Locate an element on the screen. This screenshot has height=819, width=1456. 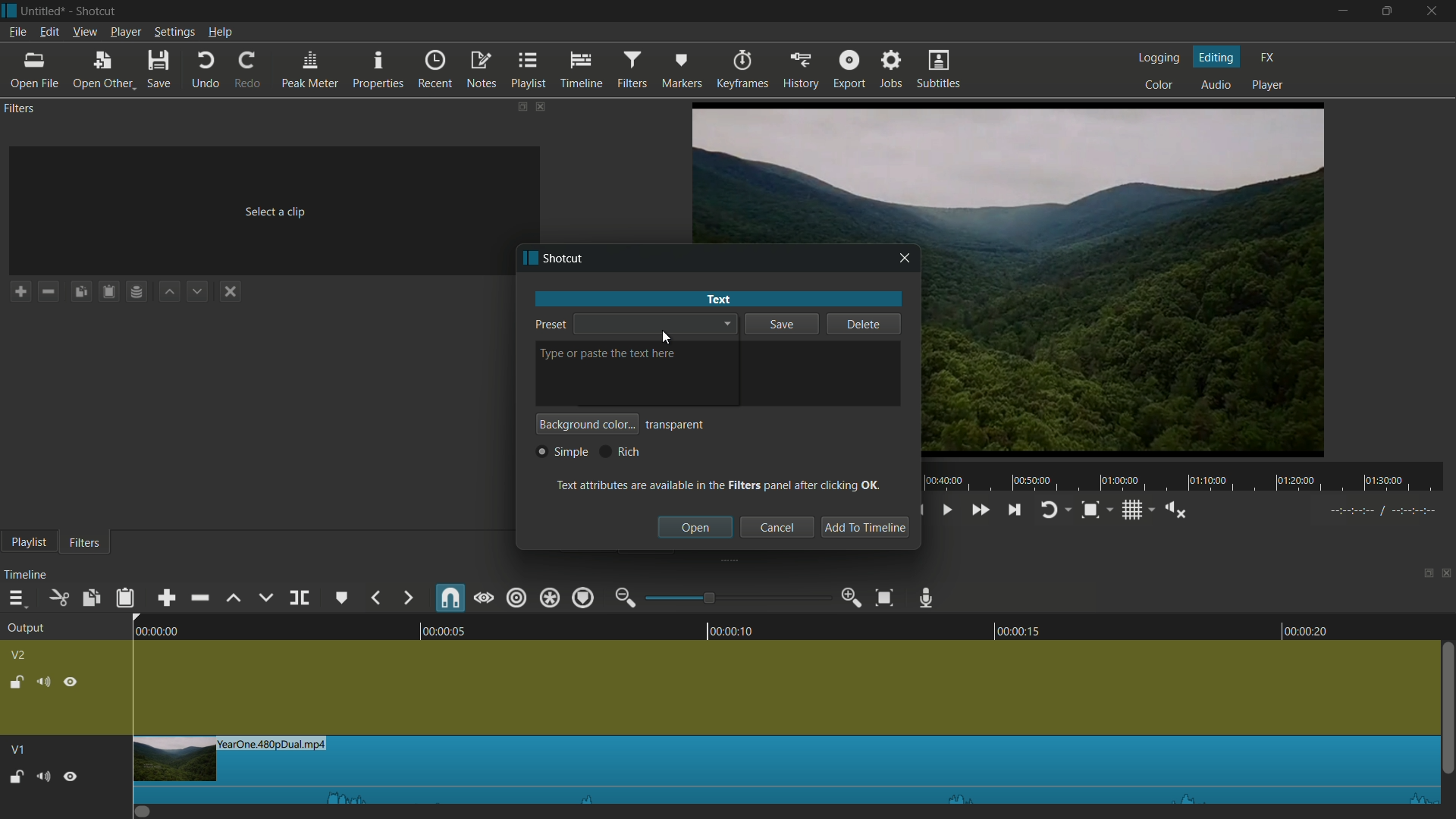
undo is located at coordinates (206, 71).